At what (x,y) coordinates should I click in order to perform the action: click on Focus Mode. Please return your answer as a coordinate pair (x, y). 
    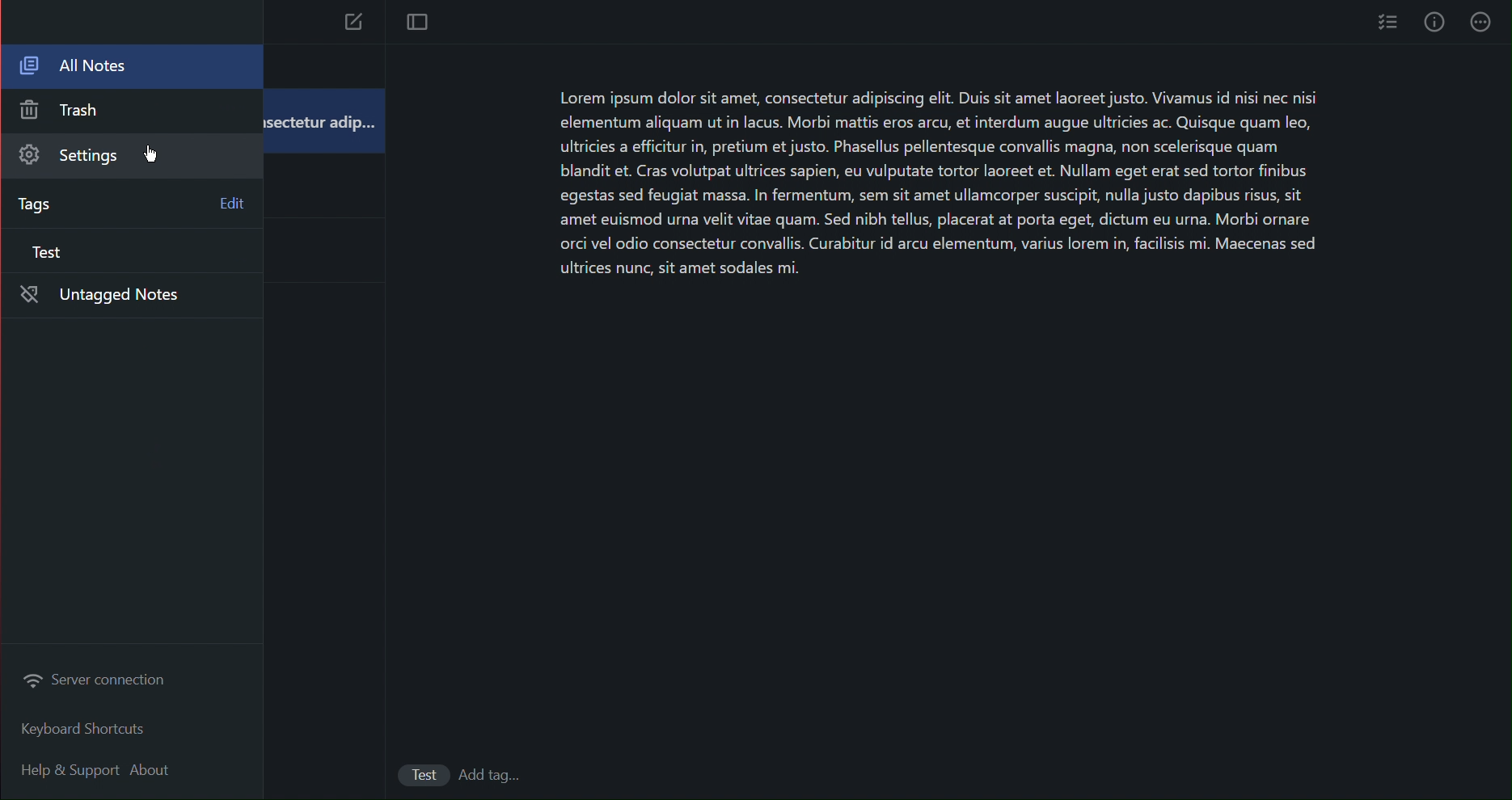
    Looking at the image, I should click on (420, 24).